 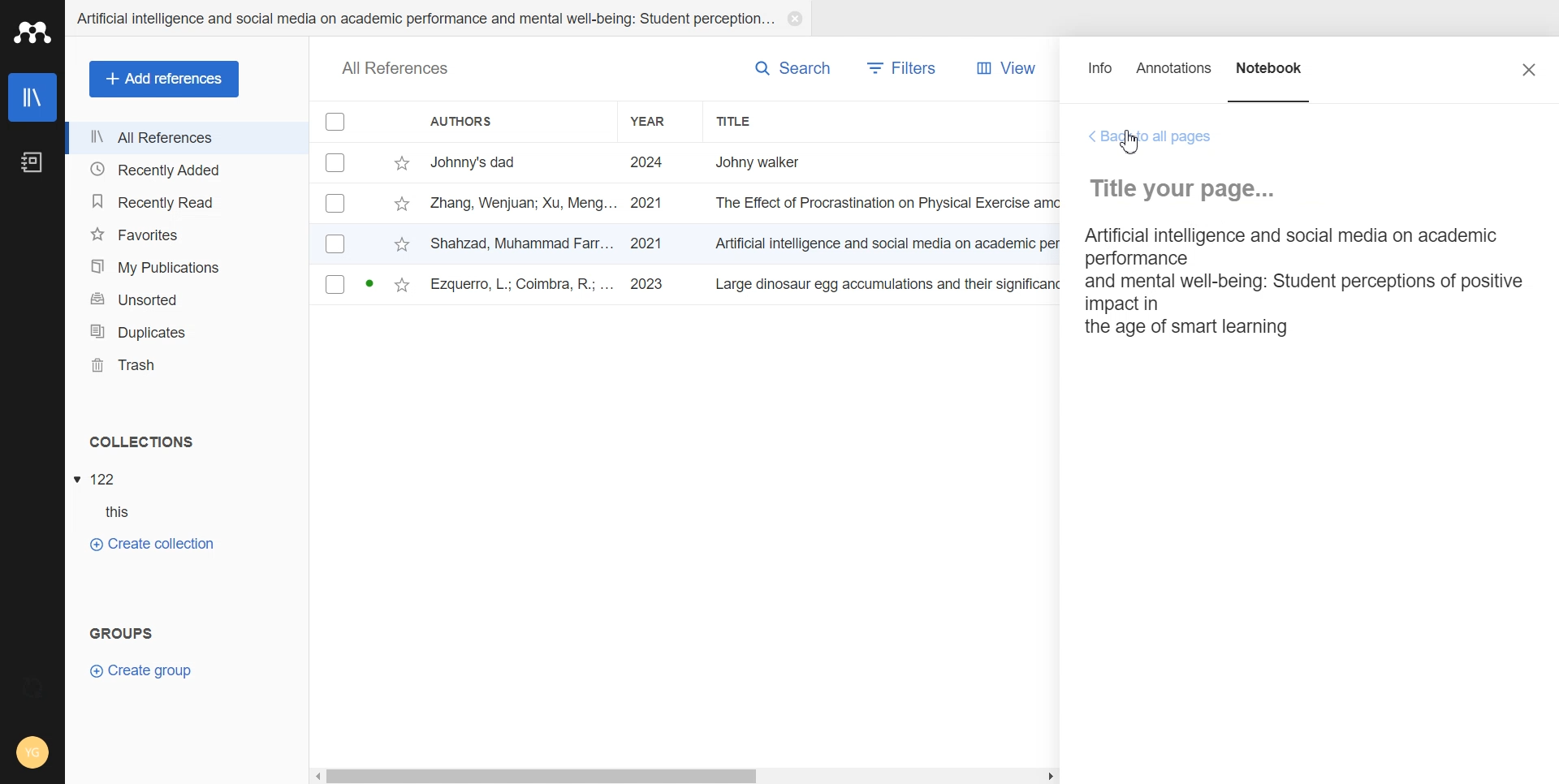 I want to click on johnny's dad, so click(x=524, y=161).